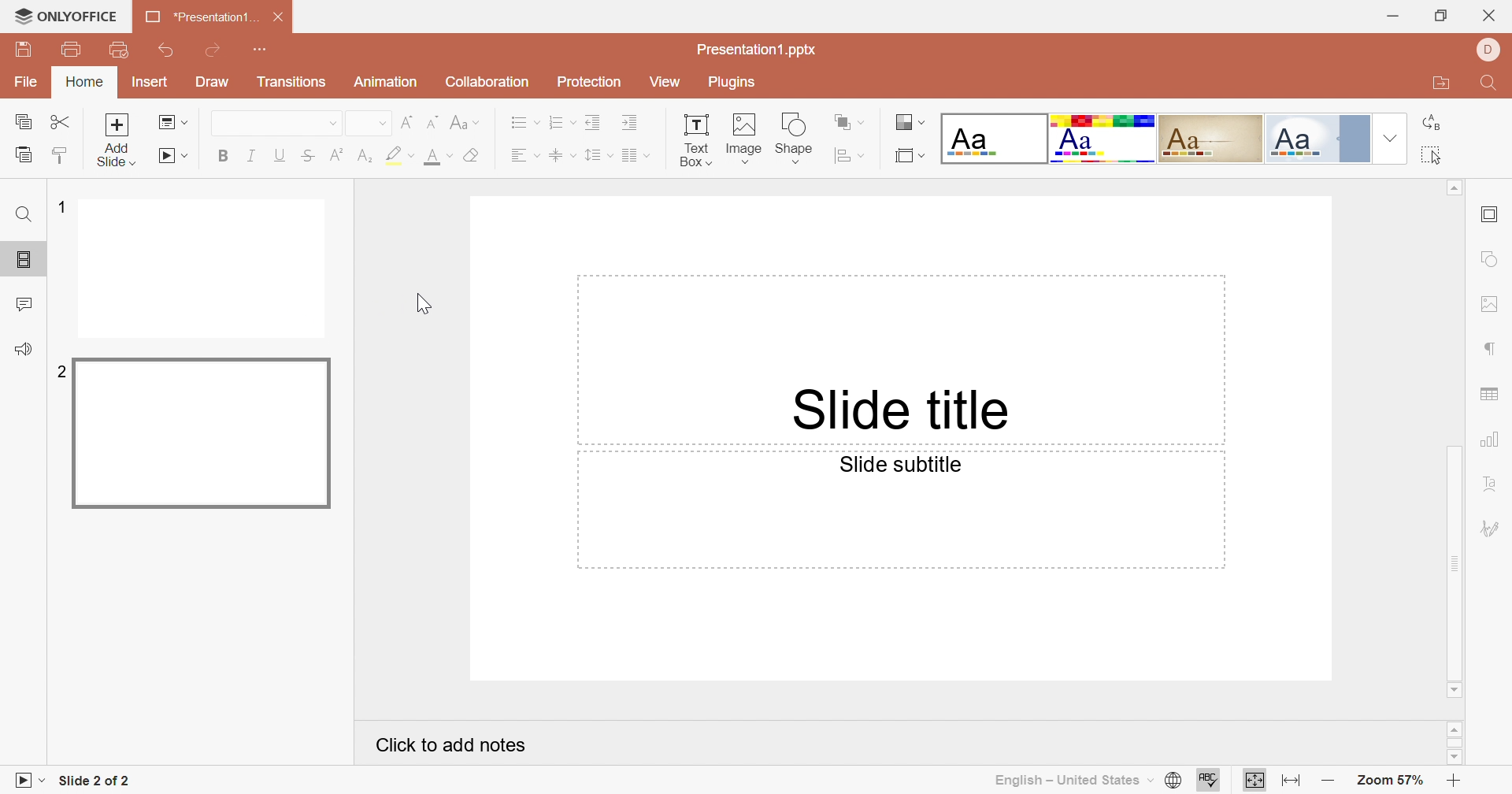 The height and width of the screenshot is (794, 1512). I want to click on Slide 2, so click(204, 434).